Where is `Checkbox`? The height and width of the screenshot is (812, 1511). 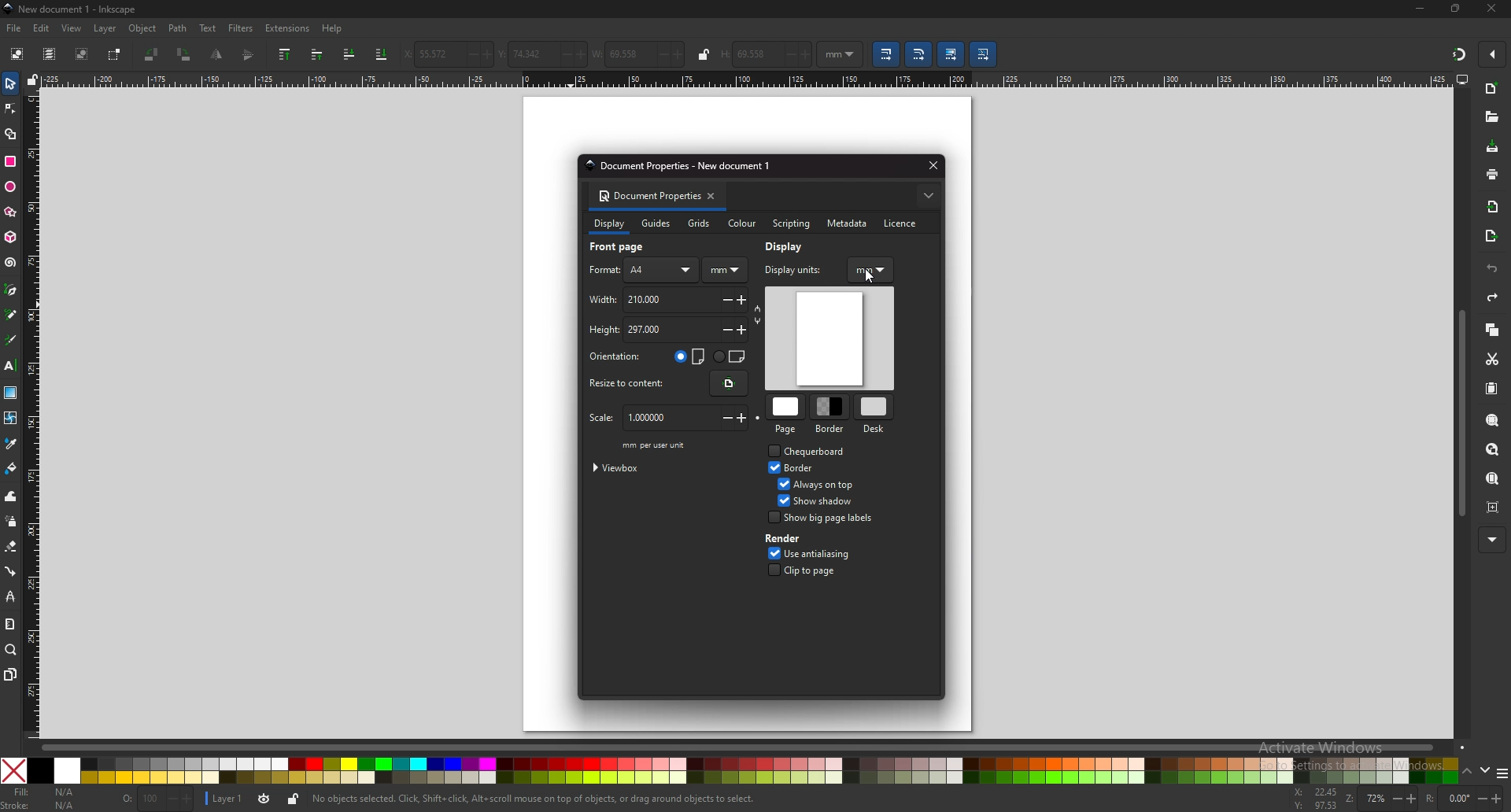 Checkbox is located at coordinates (779, 482).